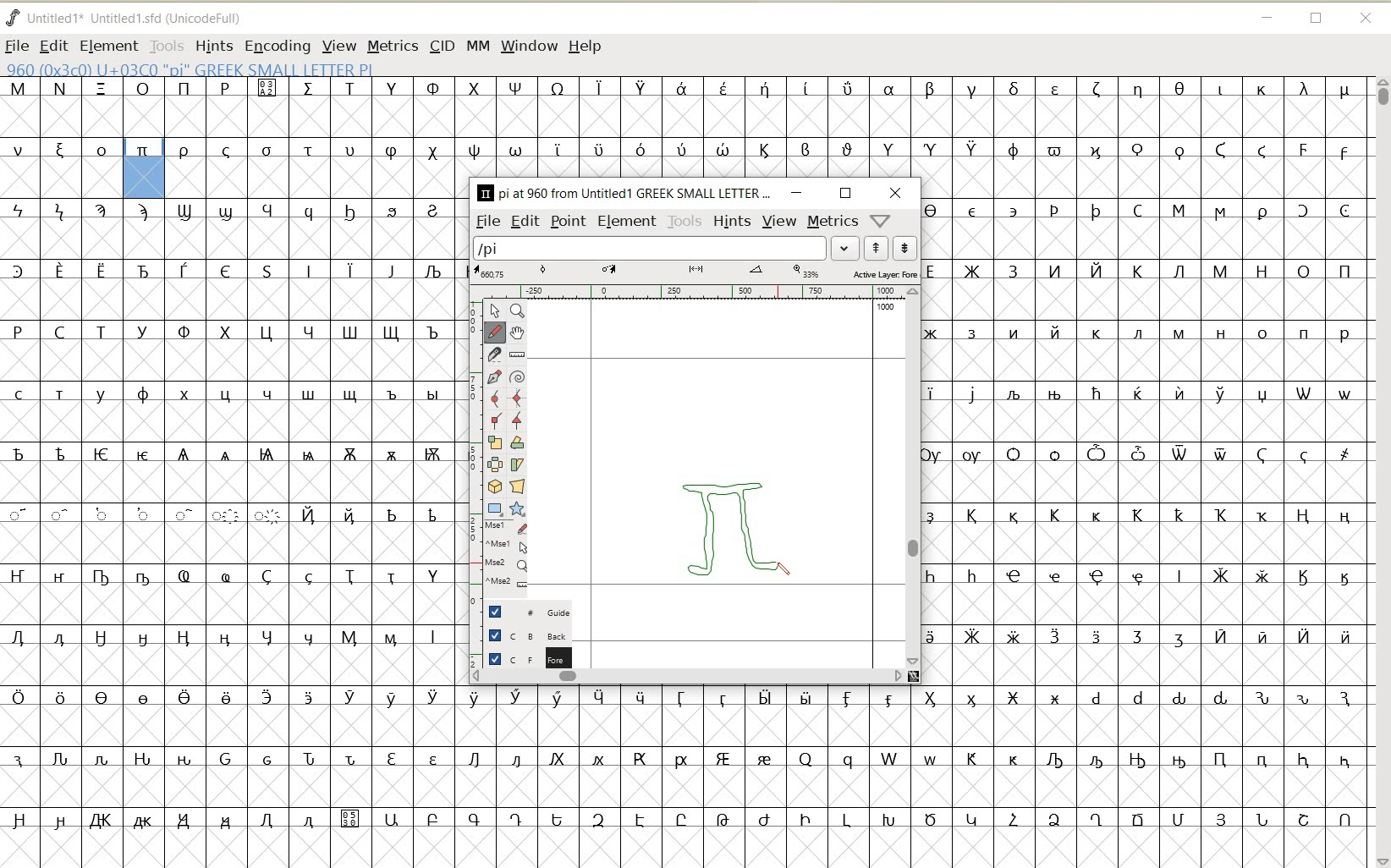  What do you see at coordinates (520, 637) in the screenshot?
I see `BACKGROUND` at bounding box center [520, 637].